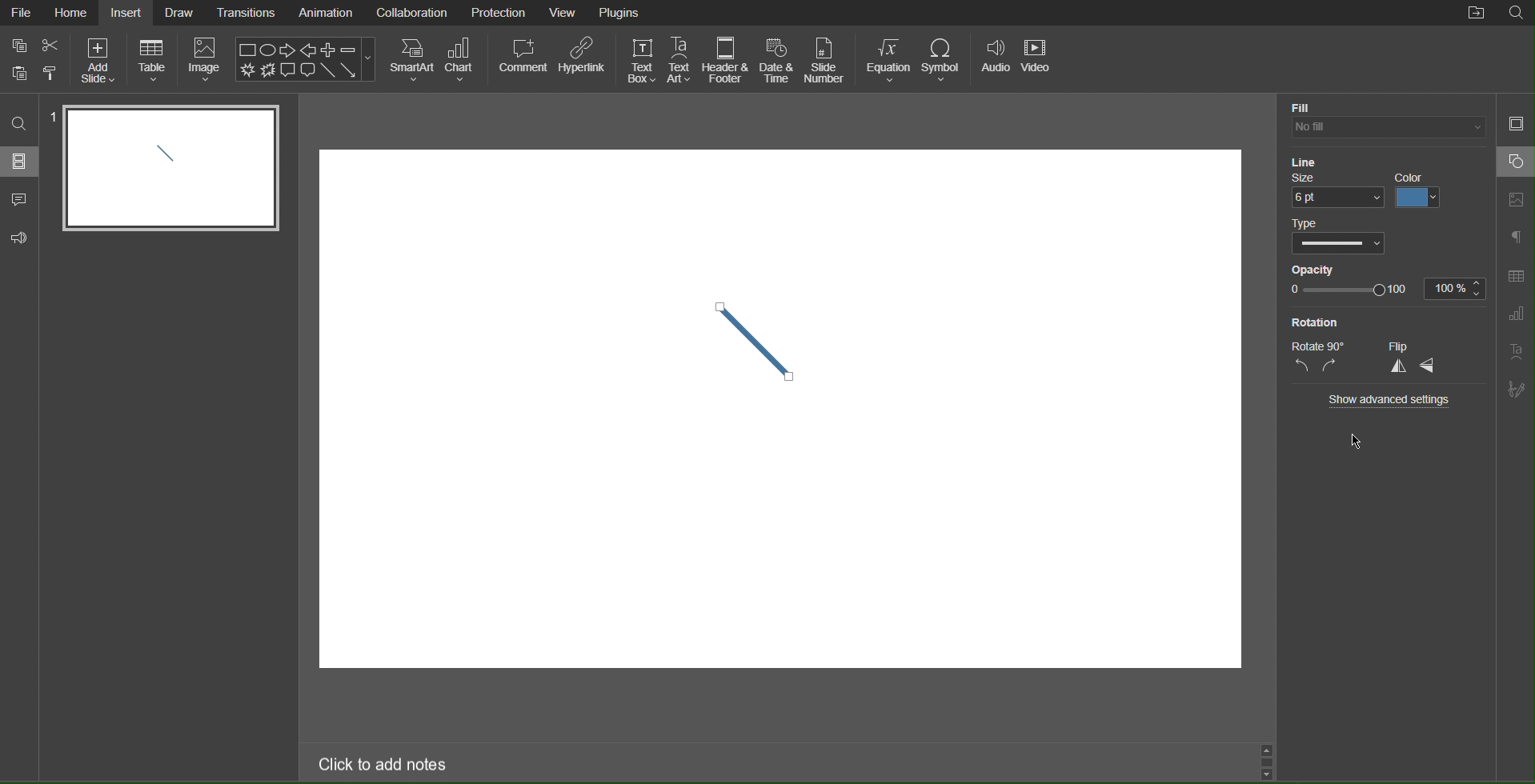 The width and height of the screenshot is (1535, 784). I want to click on Graph Settings, so click(1515, 314).